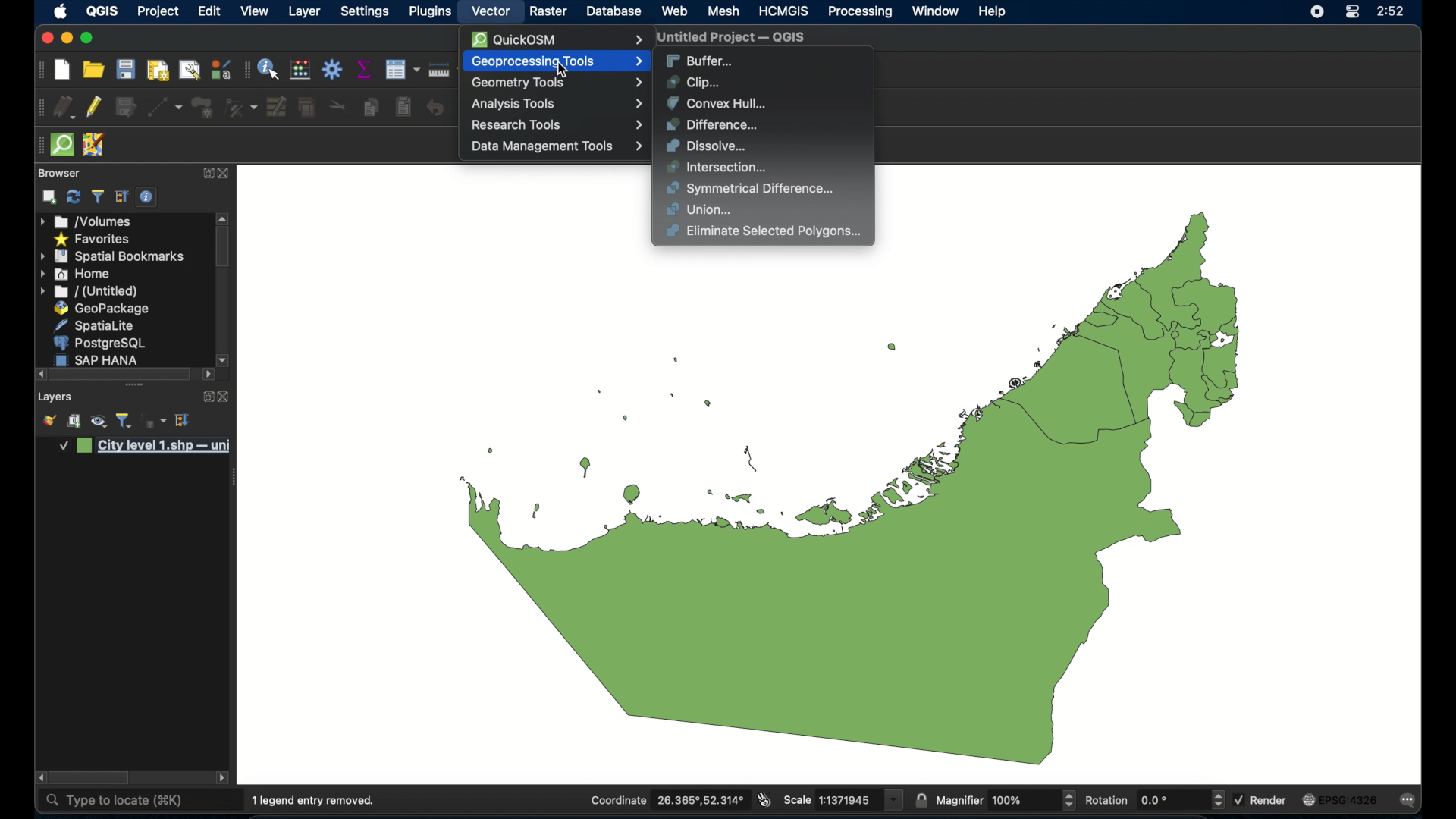 Image resolution: width=1456 pixels, height=819 pixels. Describe the element at coordinates (57, 172) in the screenshot. I see `browser` at that location.